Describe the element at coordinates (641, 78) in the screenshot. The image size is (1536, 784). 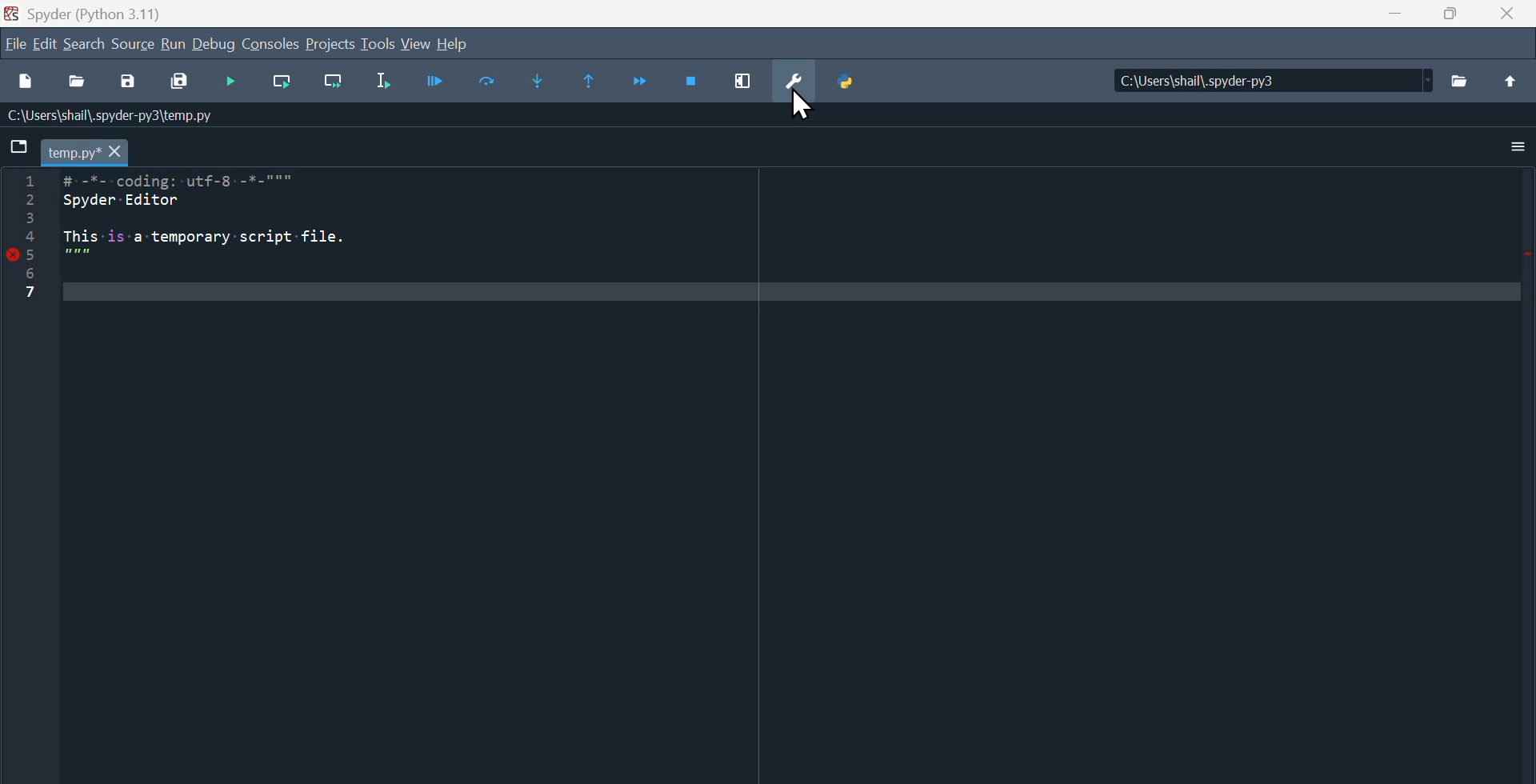
I see `Continue execution until next function` at that location.